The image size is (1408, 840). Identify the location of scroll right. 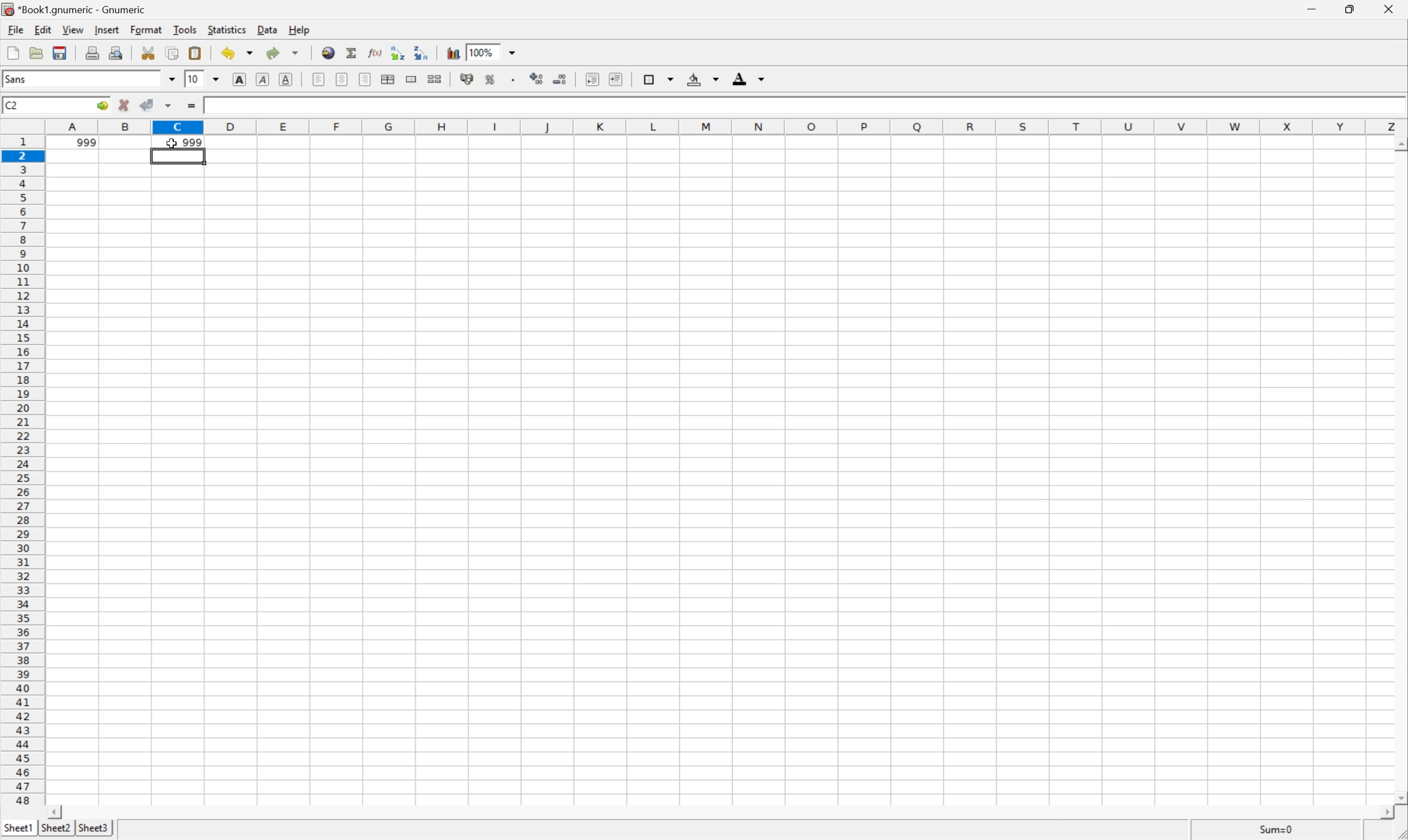
(1385, 816).